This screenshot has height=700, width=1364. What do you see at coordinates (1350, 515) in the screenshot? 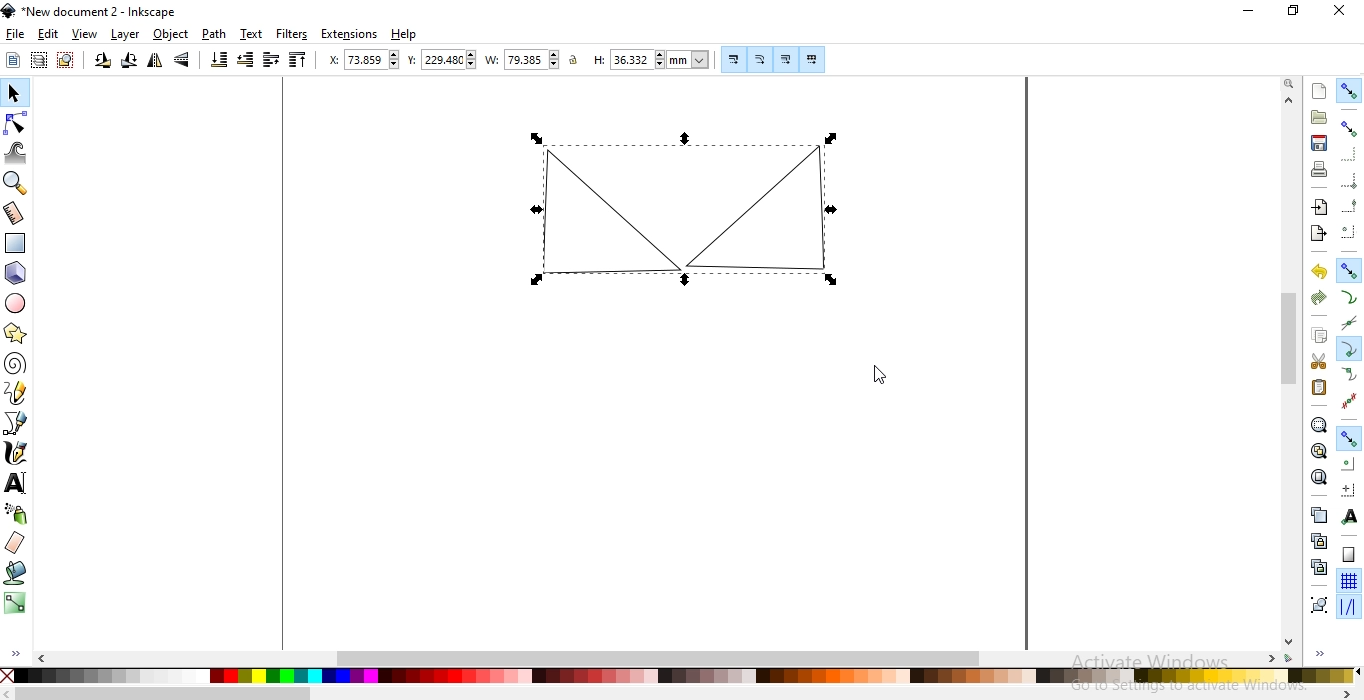
I see `snap text anchors and baselines` at bounding box center [1350, 515].